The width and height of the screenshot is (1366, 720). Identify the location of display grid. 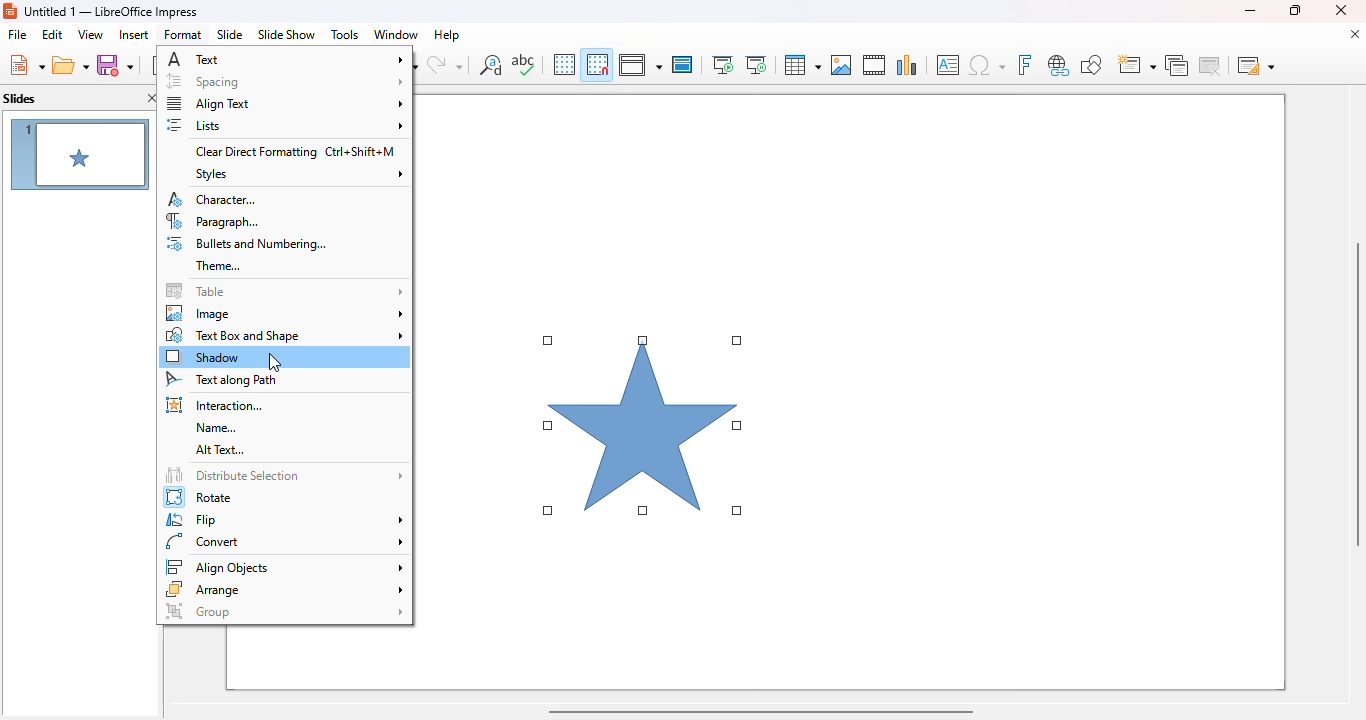
(563, 64).